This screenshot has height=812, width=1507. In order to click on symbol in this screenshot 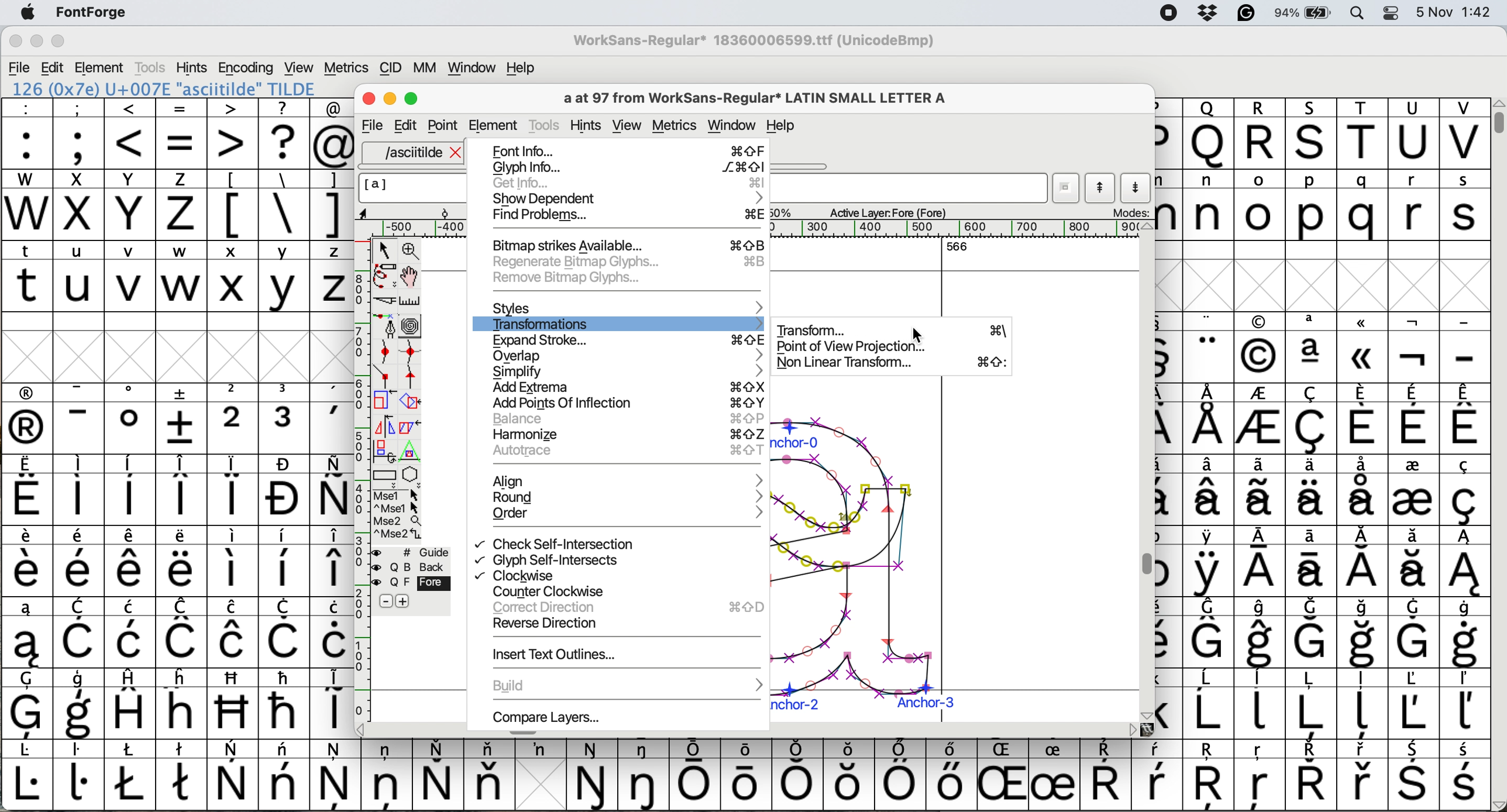, I will do `click(79, 774)`.